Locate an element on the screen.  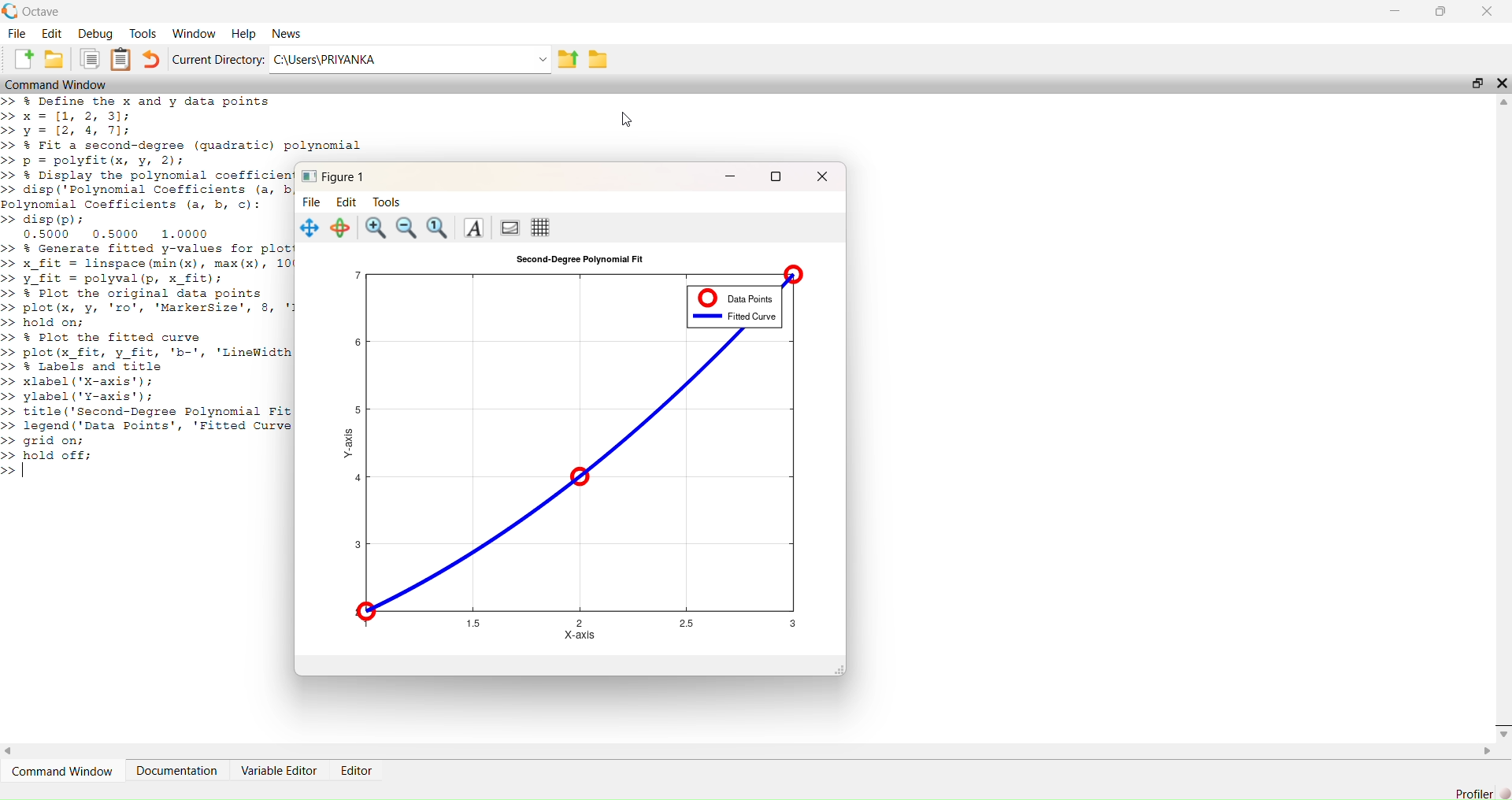
‘Second-Degree Polynomial Fit is located at coordinates (582, 261).